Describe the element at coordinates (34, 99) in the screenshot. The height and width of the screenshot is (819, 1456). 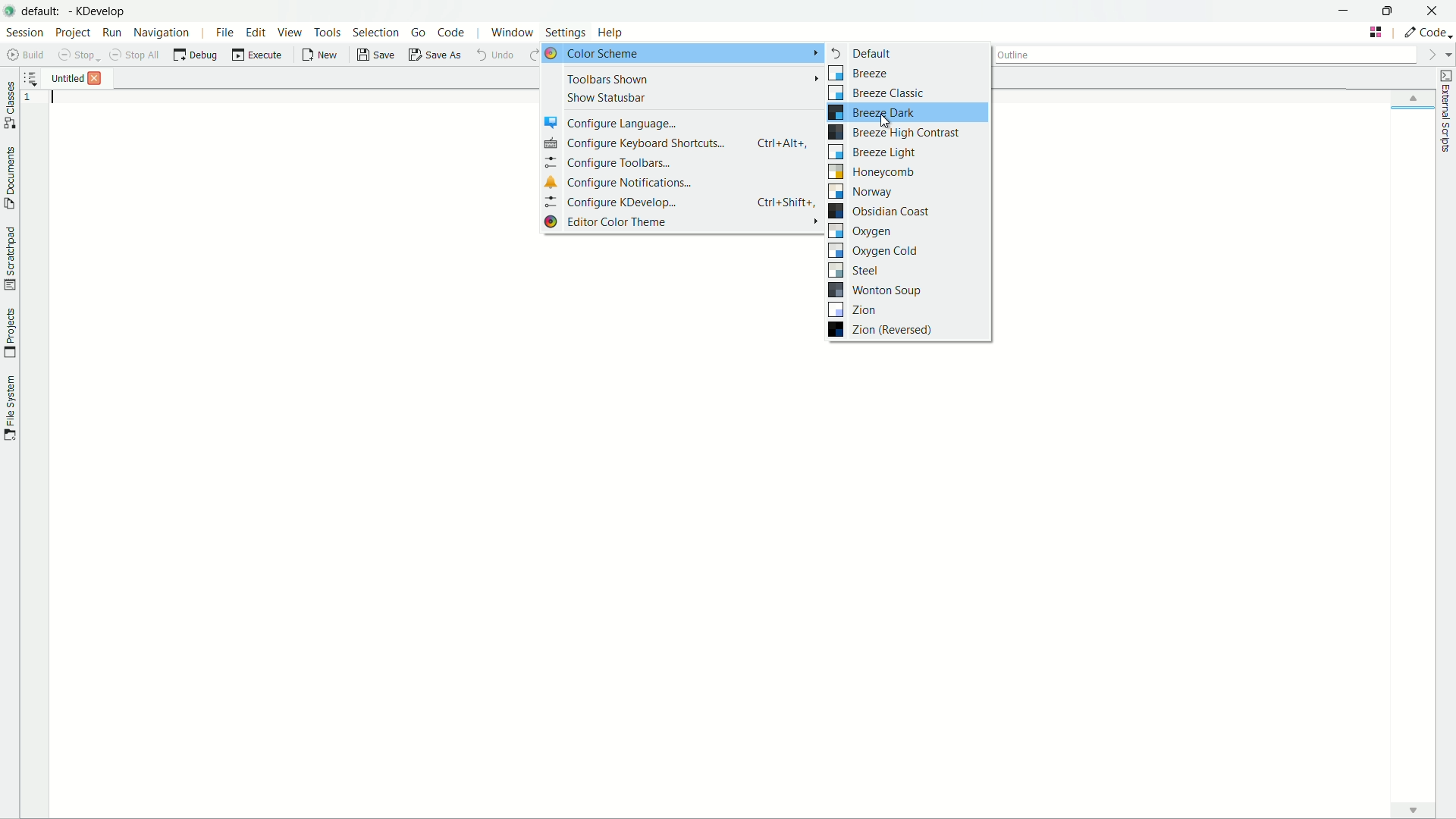
I see `1` at that location.